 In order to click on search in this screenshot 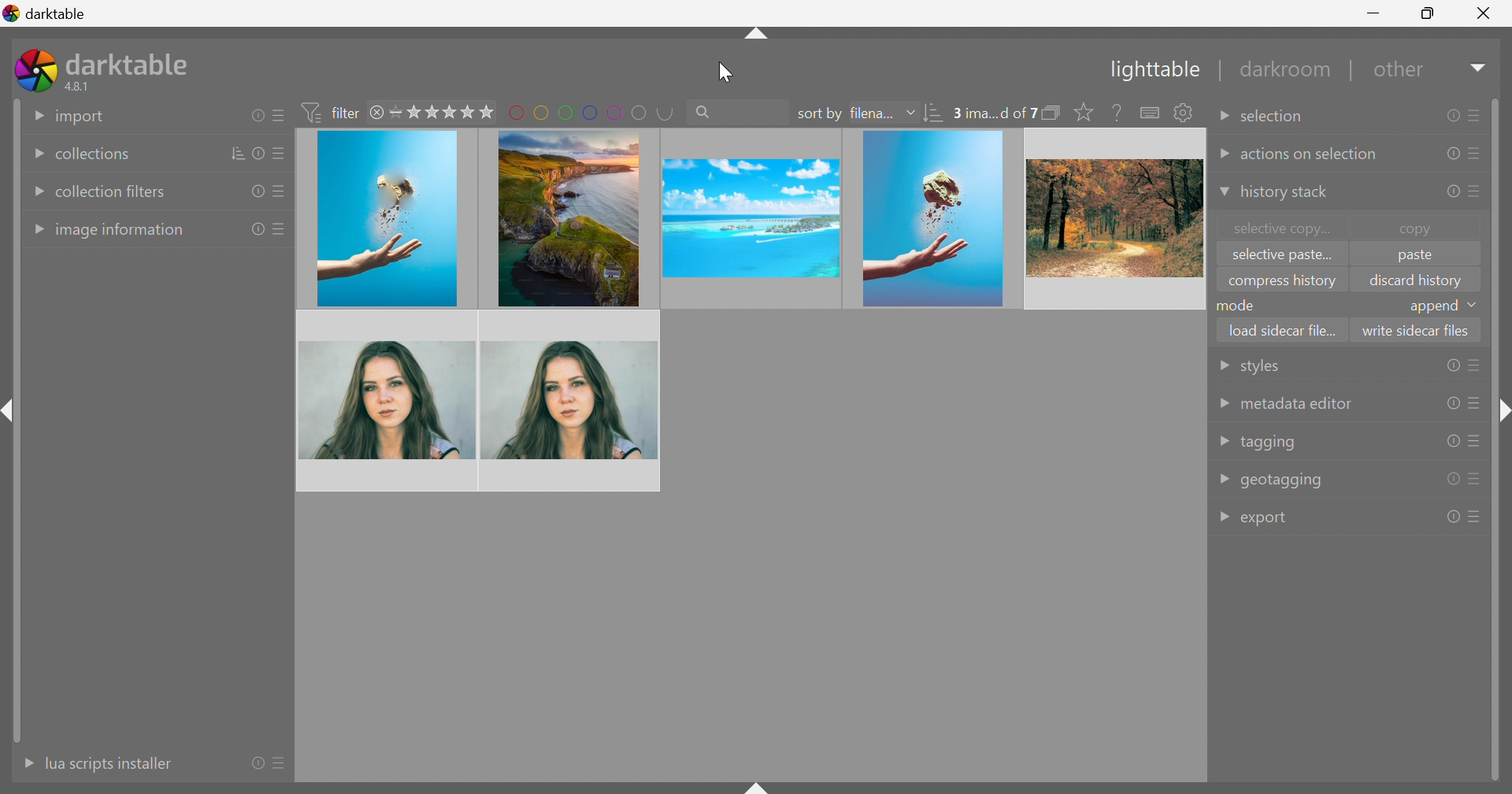, I will do `click(736, 110)`.